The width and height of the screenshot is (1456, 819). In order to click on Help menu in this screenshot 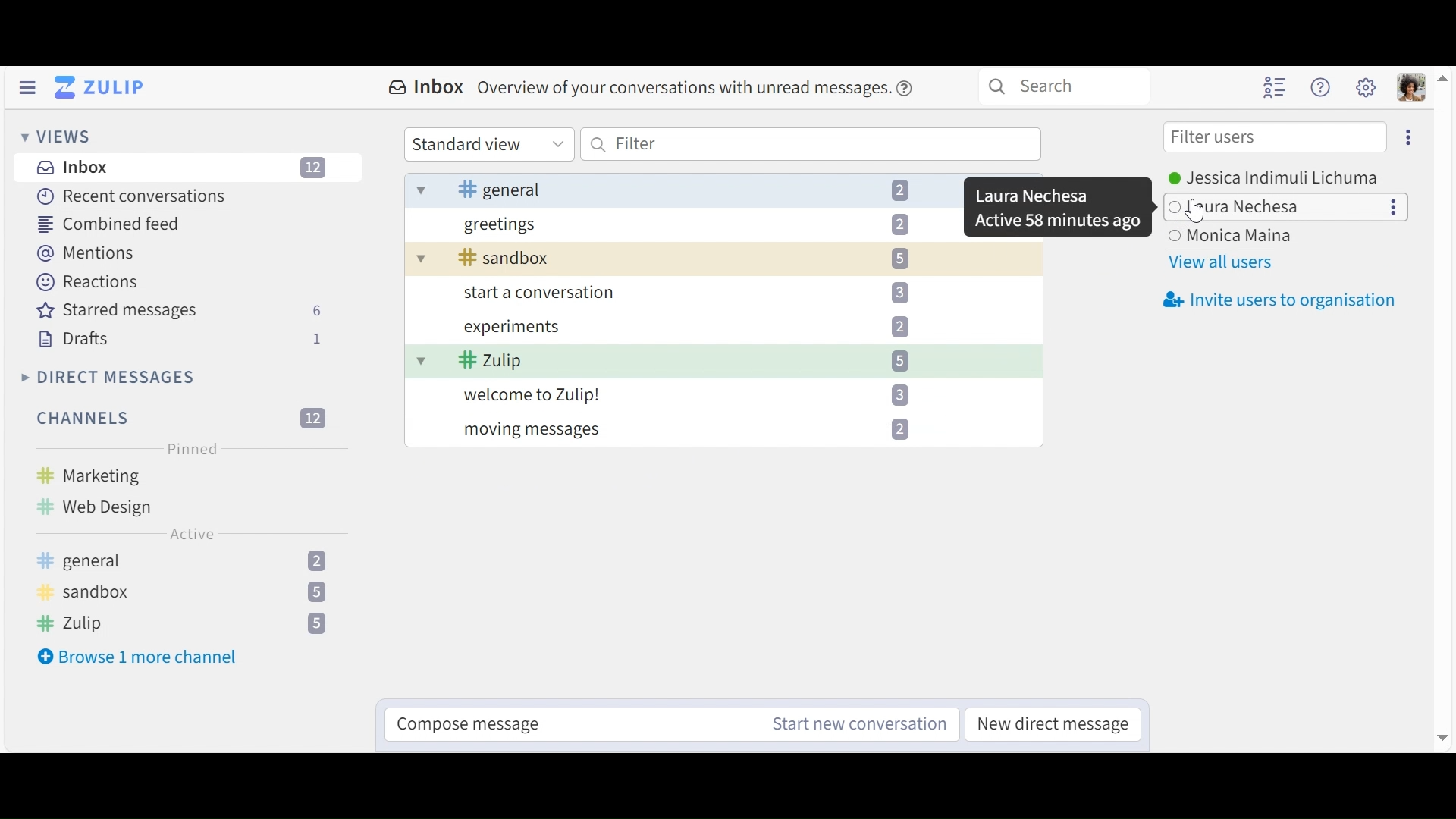, I will do `click(1323, 88)`.